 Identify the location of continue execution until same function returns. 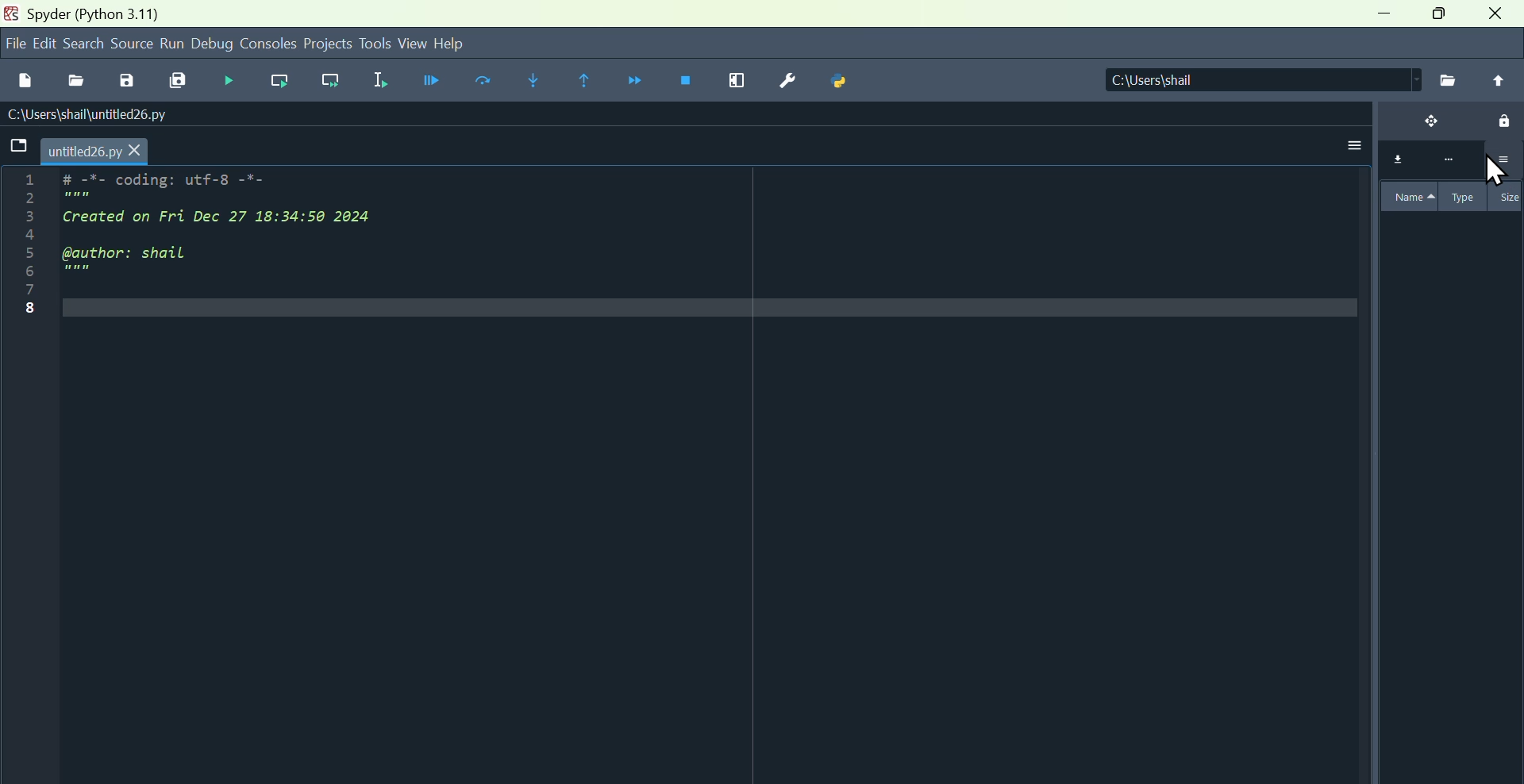
(587, 79).